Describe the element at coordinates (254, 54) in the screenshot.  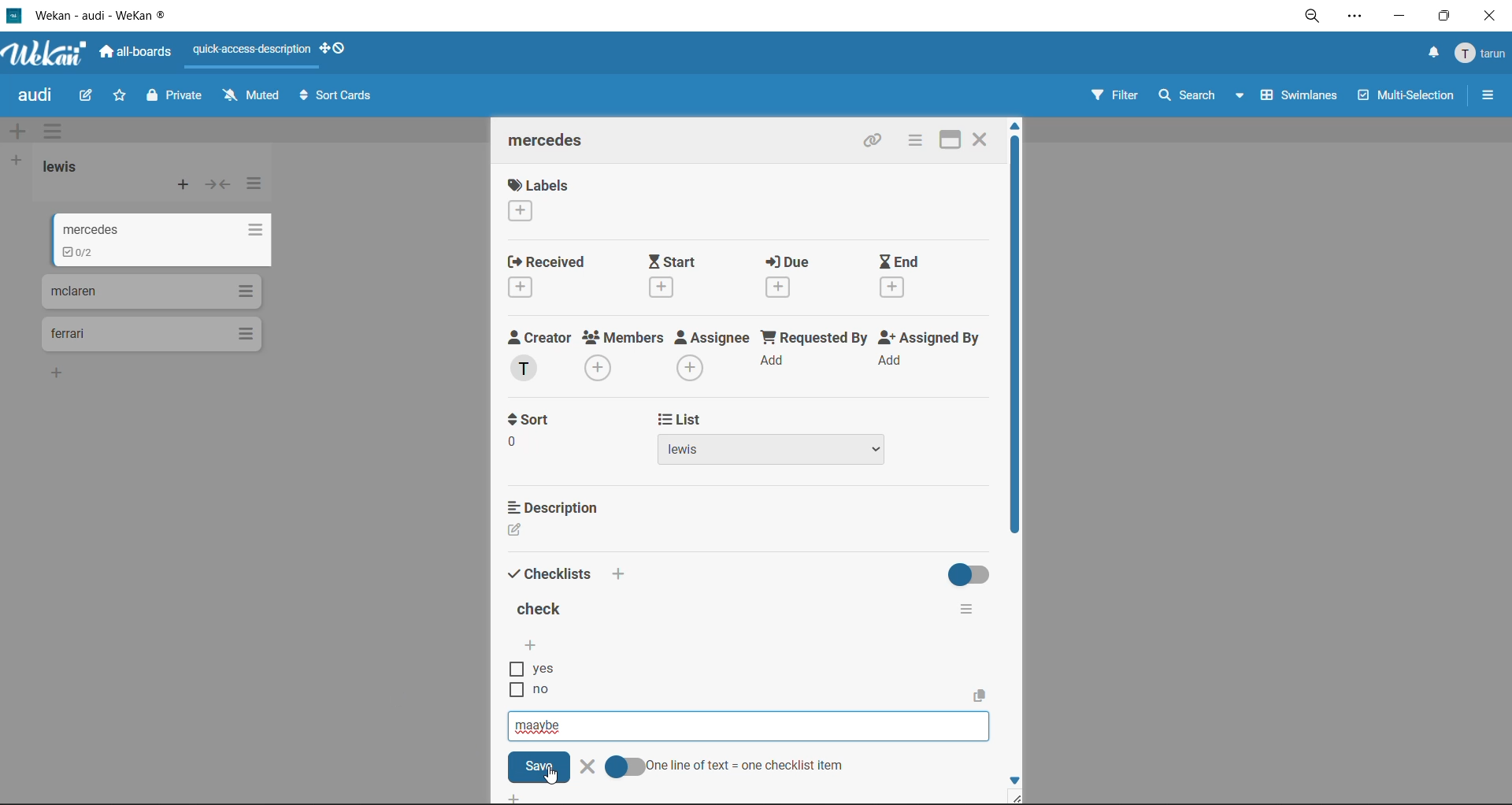
I see `quick access description` at that location.